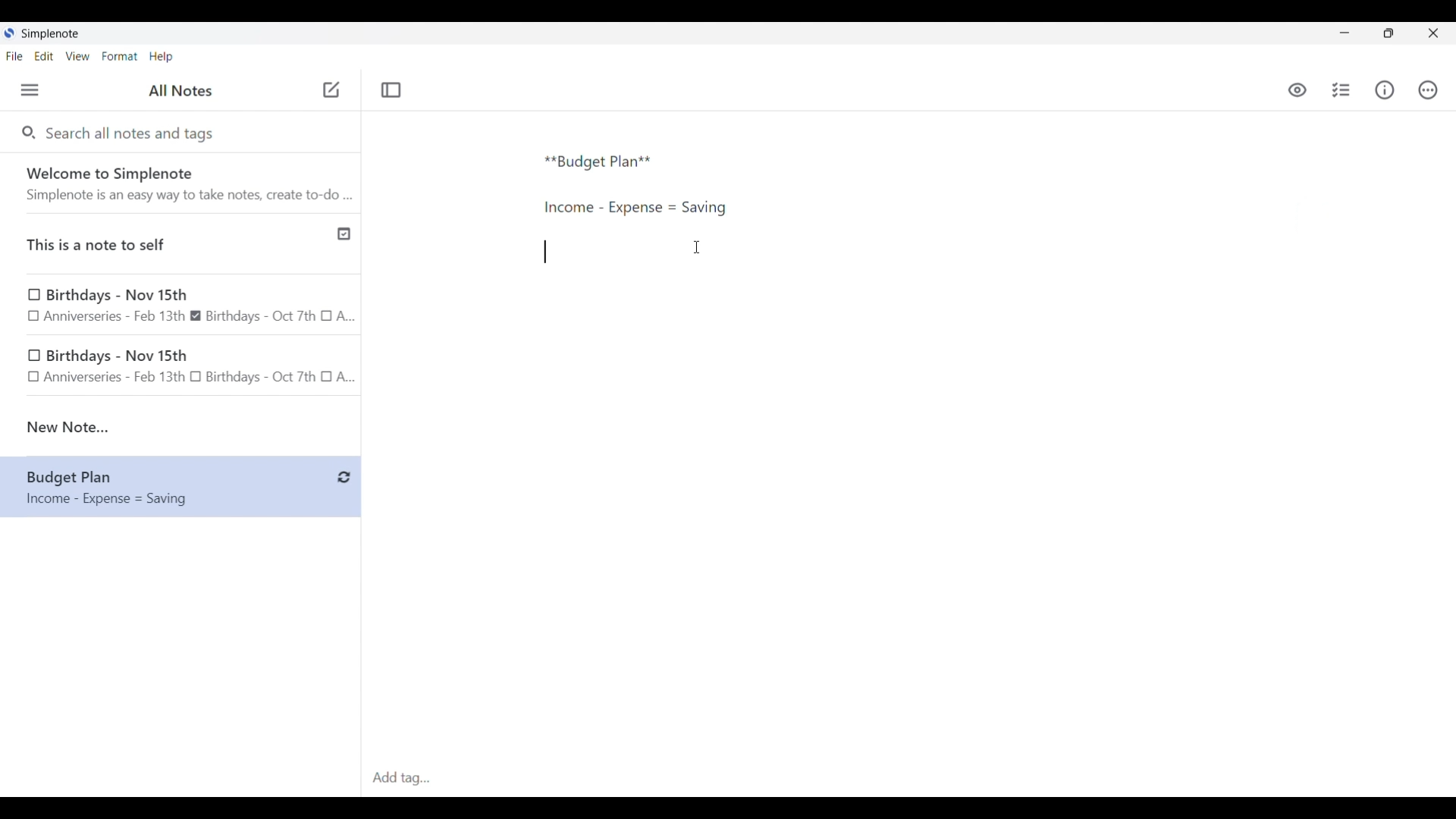 The image size is (1456, 819). What do you see at coordinates (120, 56) in the screenshot?
I see `Format menu` at bounding box center [120, 56].